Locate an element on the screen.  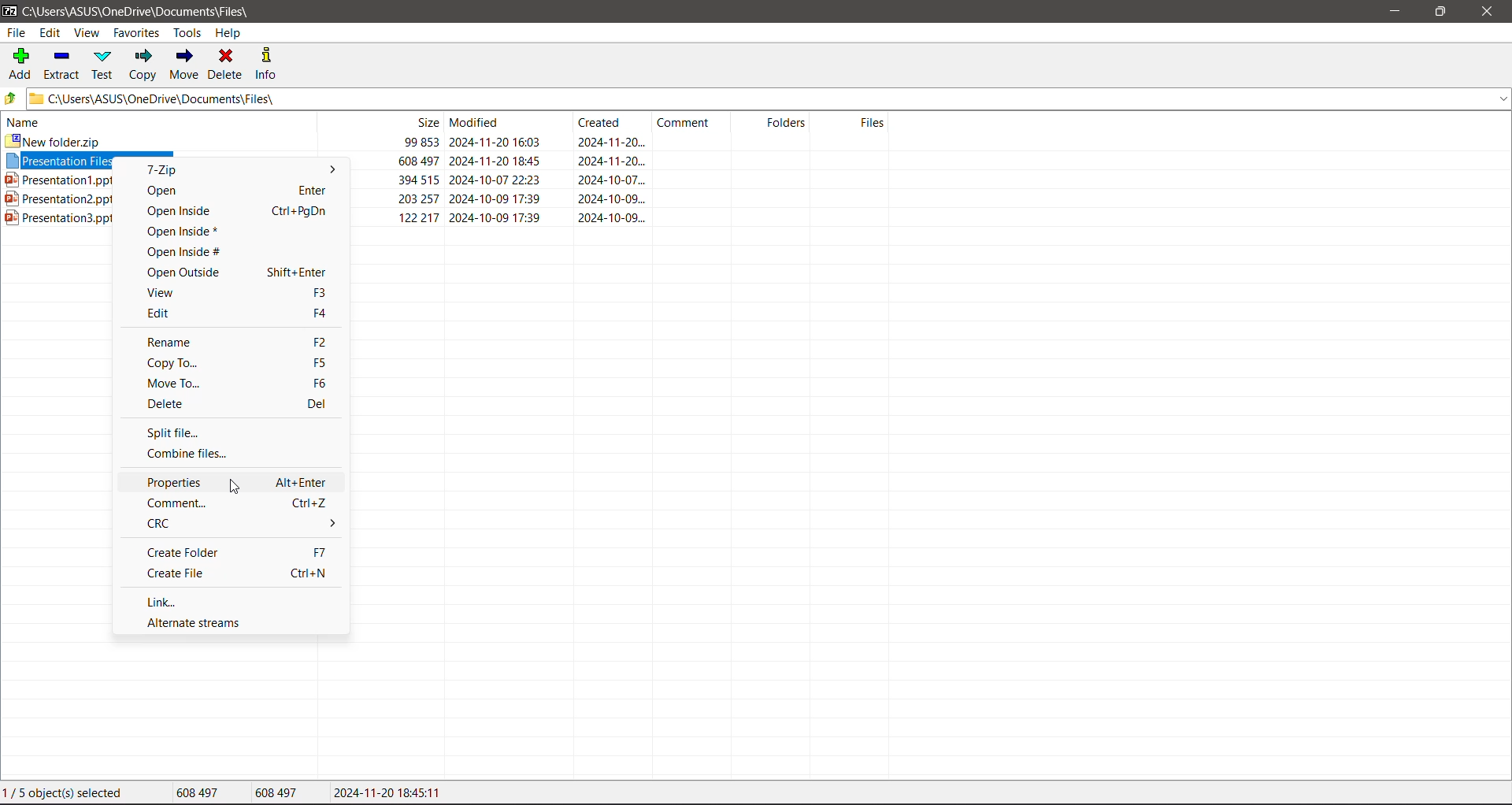
Minimize is located at coordinates (1396, 10).